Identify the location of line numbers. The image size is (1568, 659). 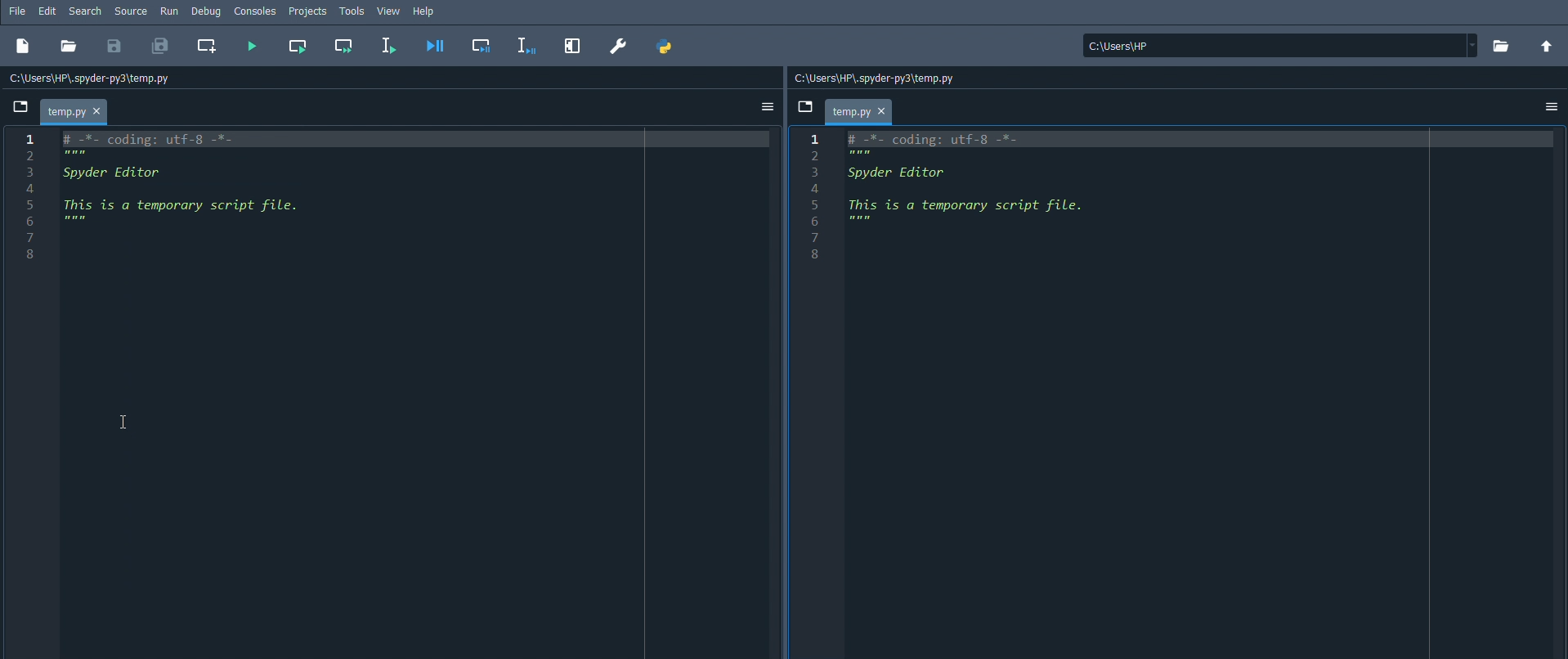
(32, 198).